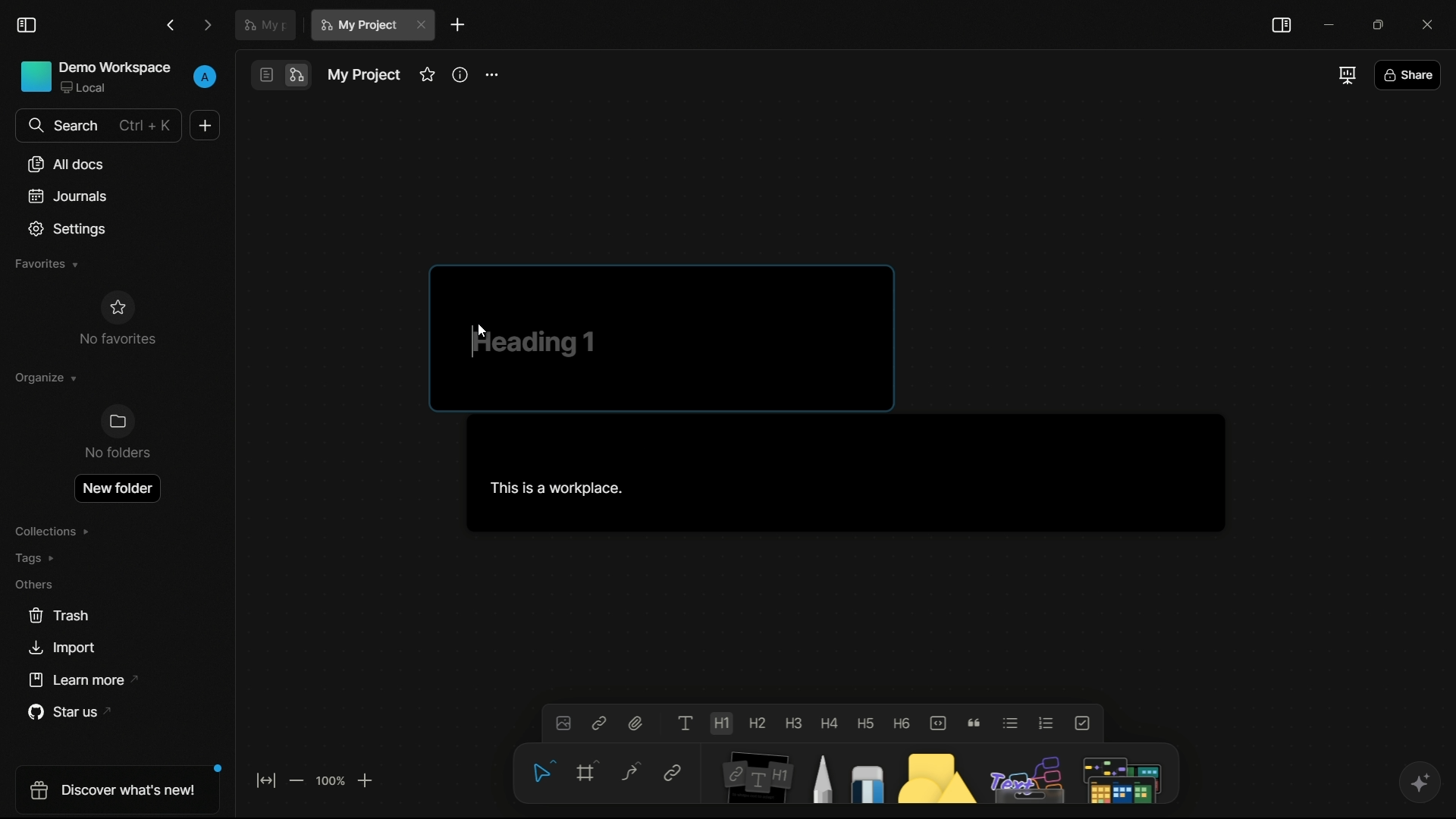 This screenshot has height=819, width=1456. What do you see at coordinates (601, 721) in the screenshot?
I see `insert link` at bounding box center [601, 721].